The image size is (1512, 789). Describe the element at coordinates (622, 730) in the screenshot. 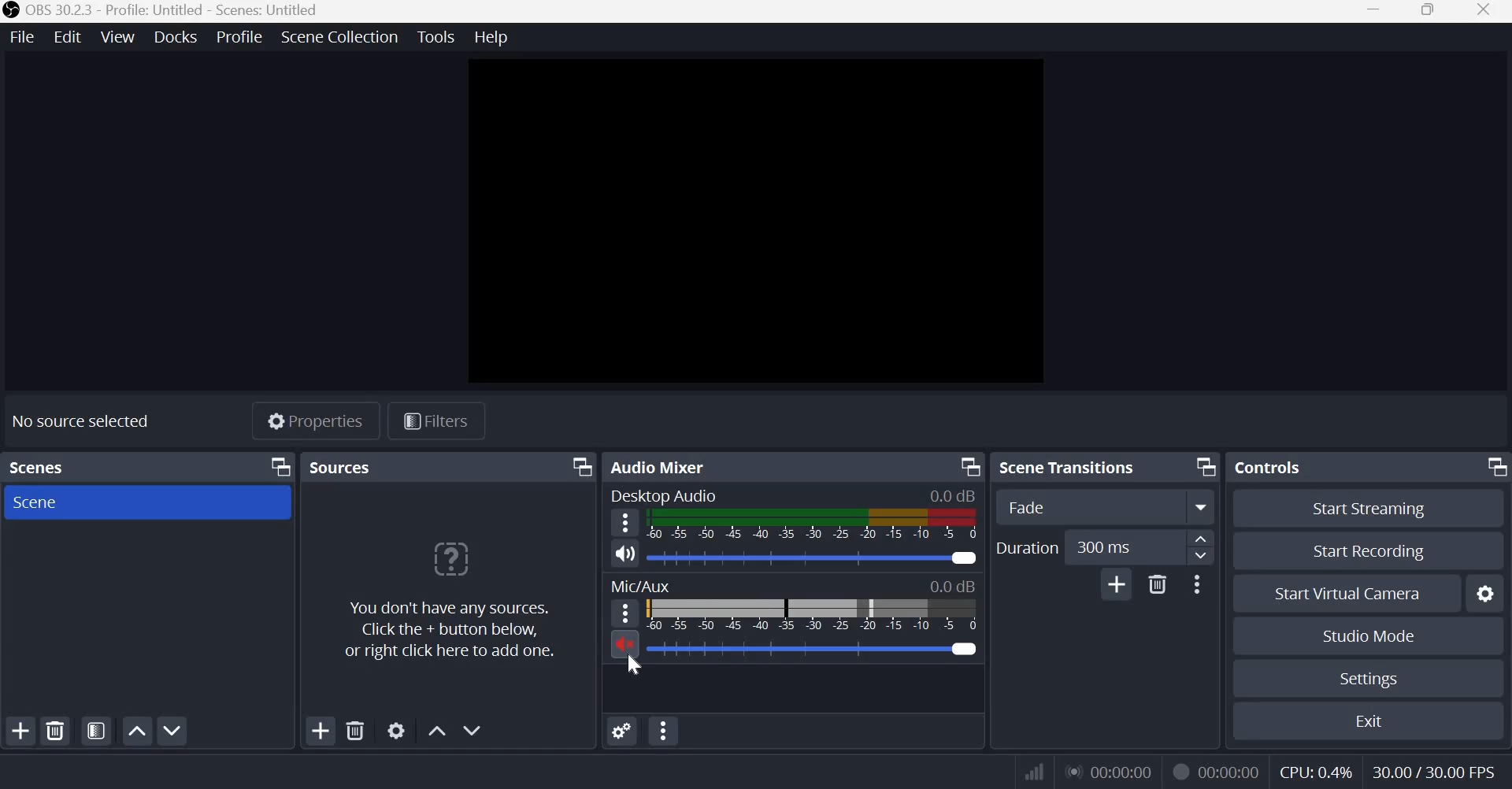

I see `audio mixer menu` at that location.